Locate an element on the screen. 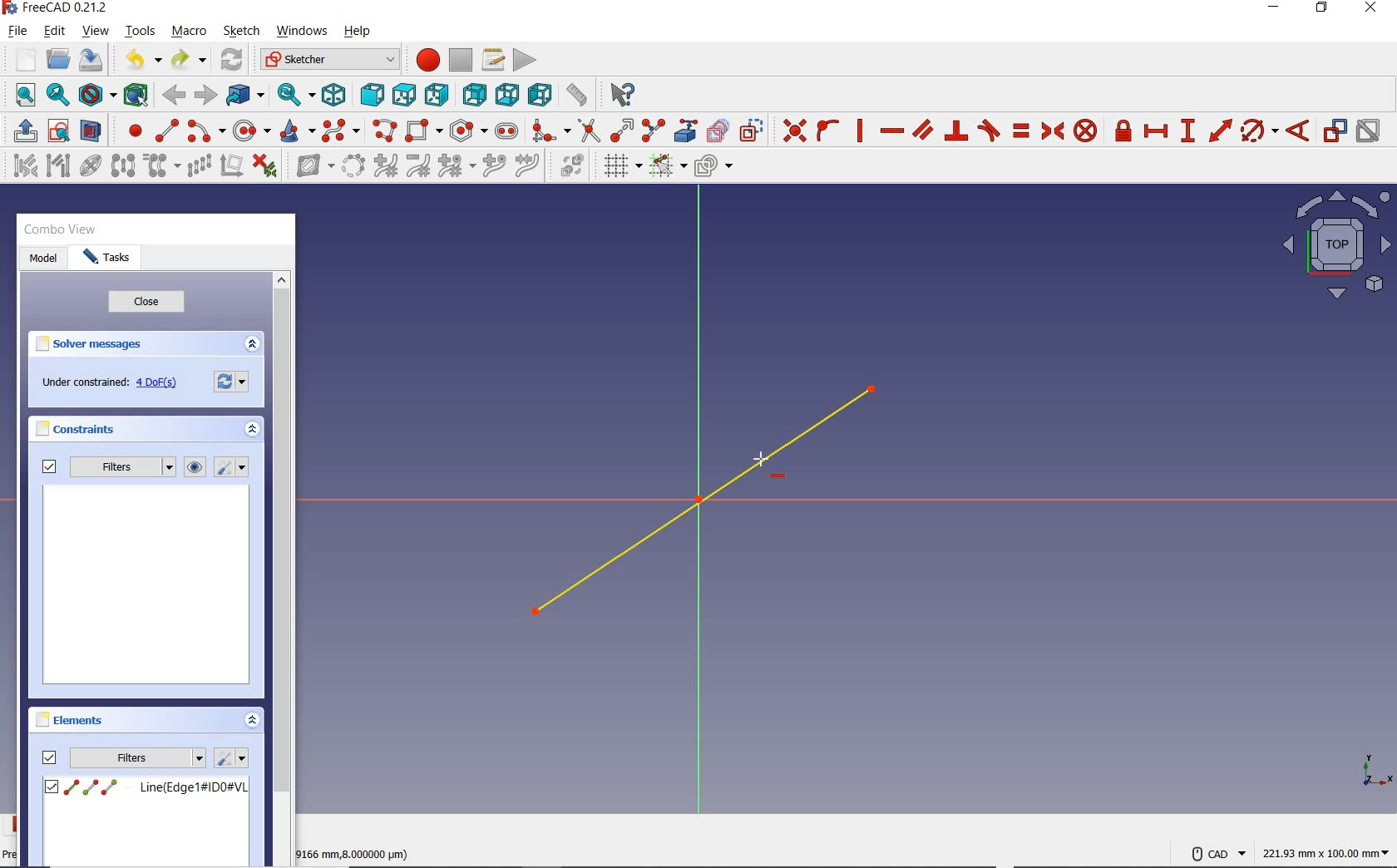 The image size is (1397, 868). SPLIT EDGE is located at coordinates (654, 128).